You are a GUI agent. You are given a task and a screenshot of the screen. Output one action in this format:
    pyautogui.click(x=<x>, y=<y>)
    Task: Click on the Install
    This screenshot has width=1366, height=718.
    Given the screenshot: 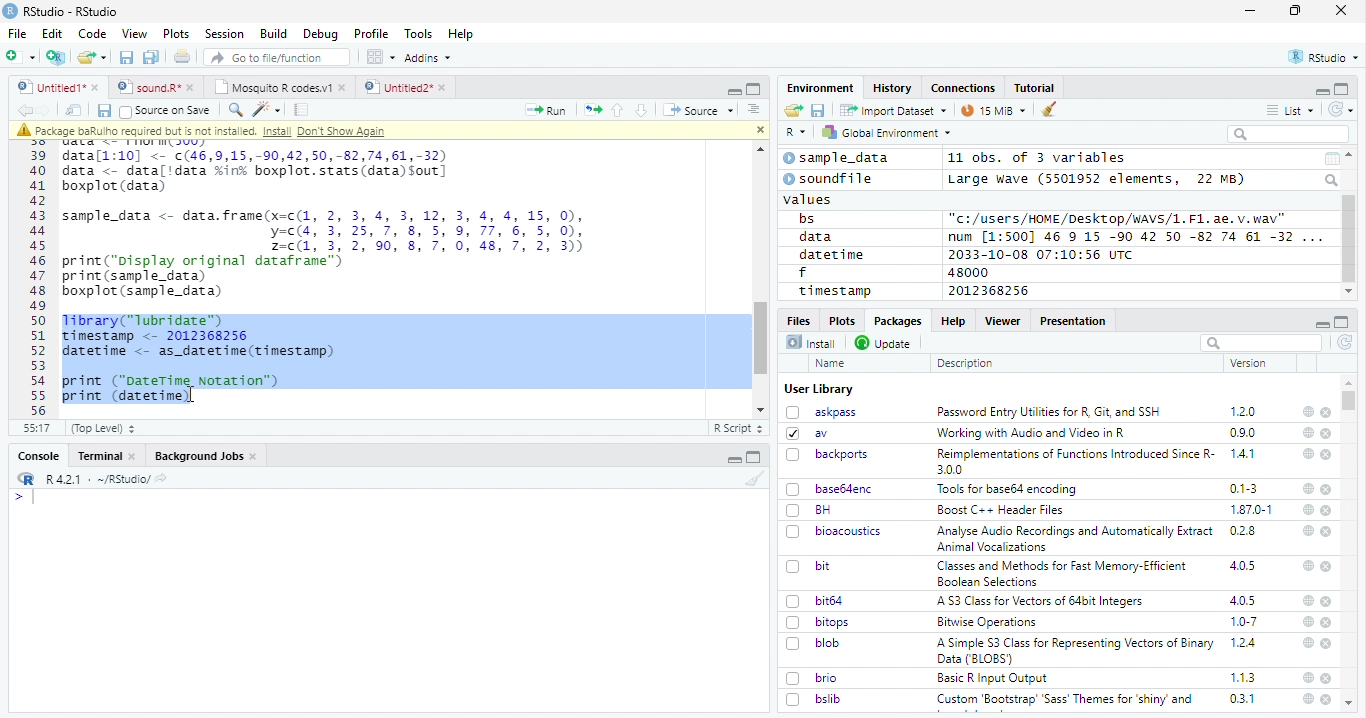 What is the action you would take?
    pyautogui.click(x=811, y=342)
    